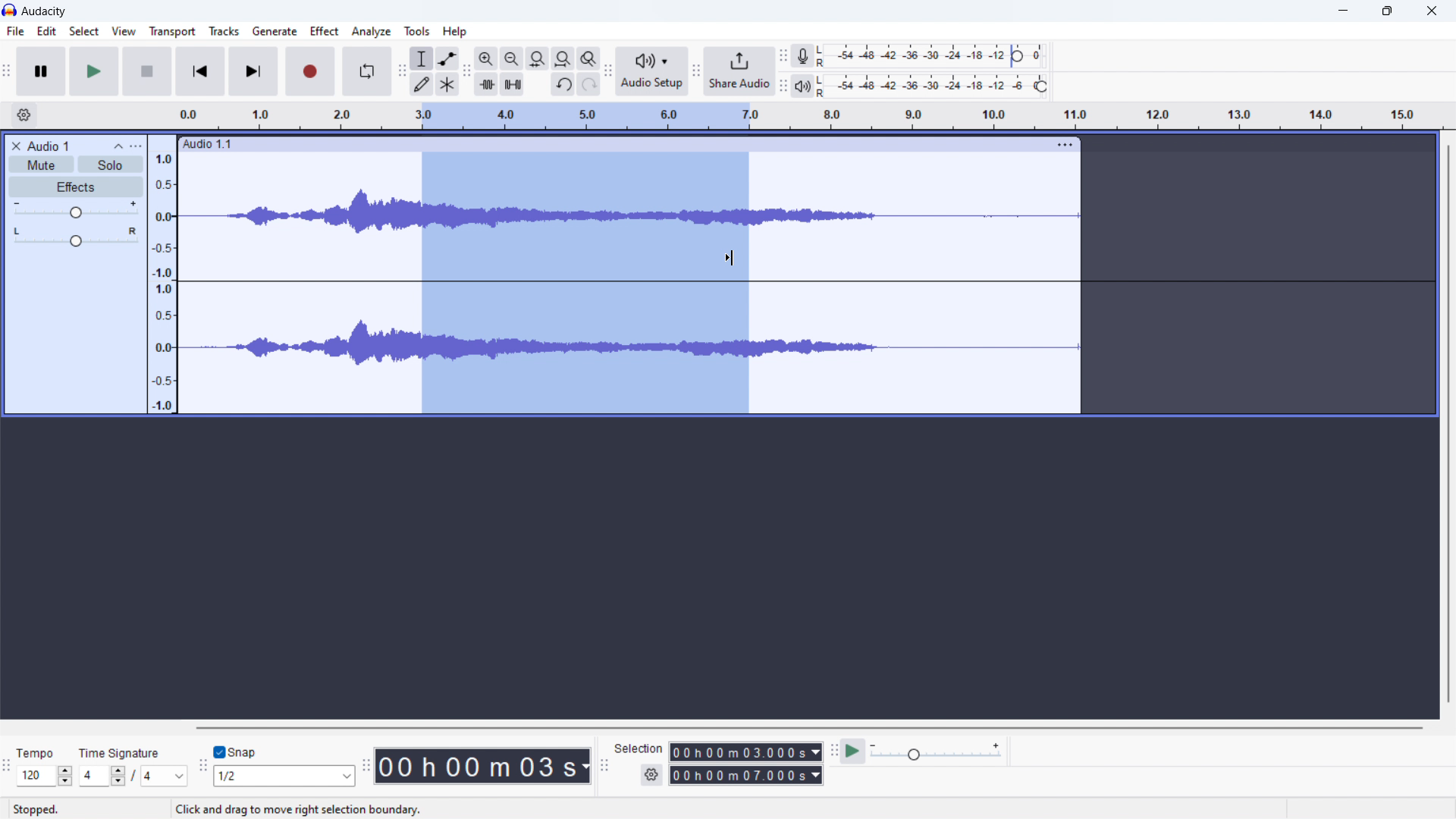  What do you see at coordinates (1432, 11) in the screenshot?
I see `close` at bounding box center [1432, 11].